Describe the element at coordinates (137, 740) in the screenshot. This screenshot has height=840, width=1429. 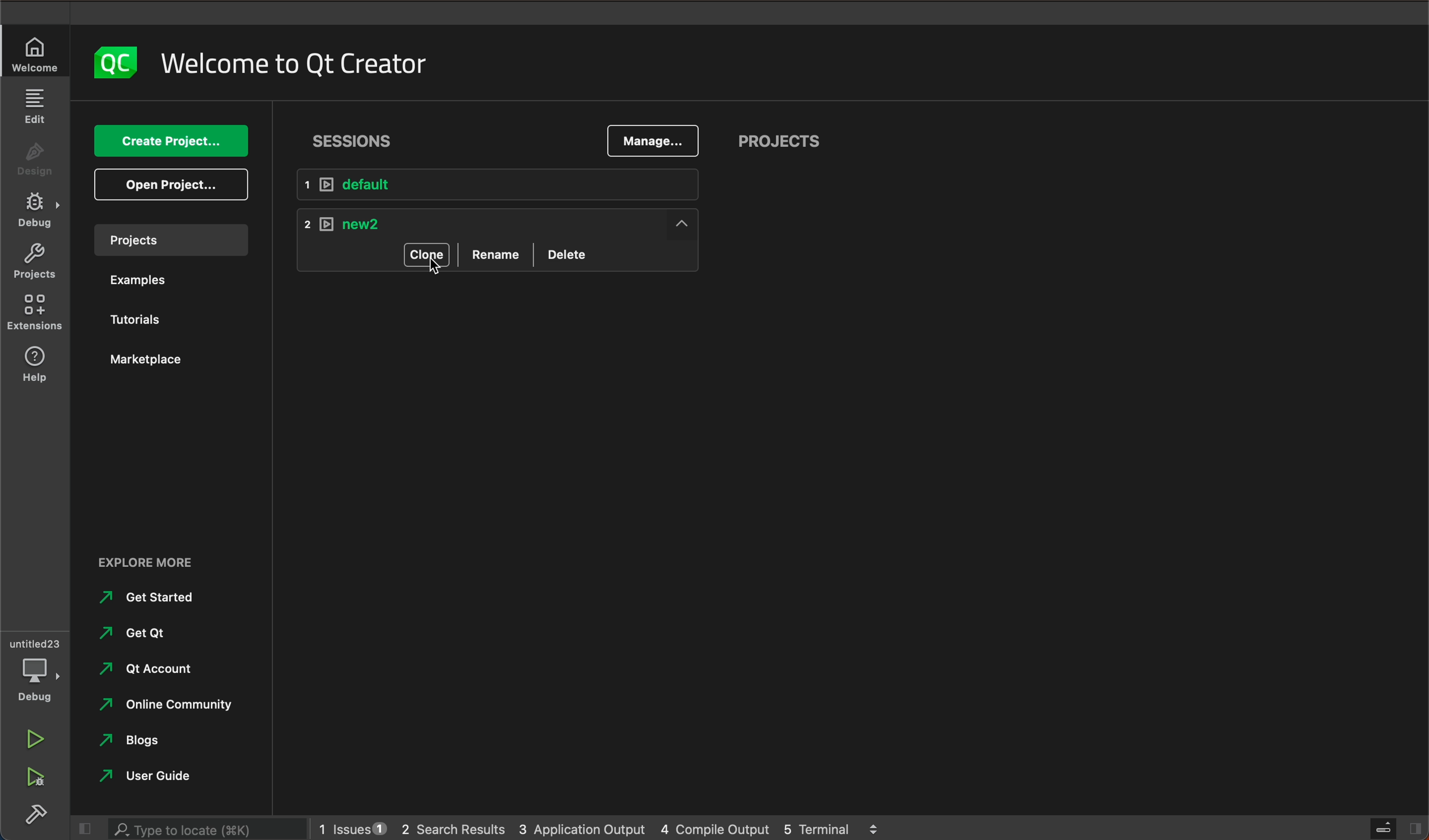
I see `blogs` at that location.